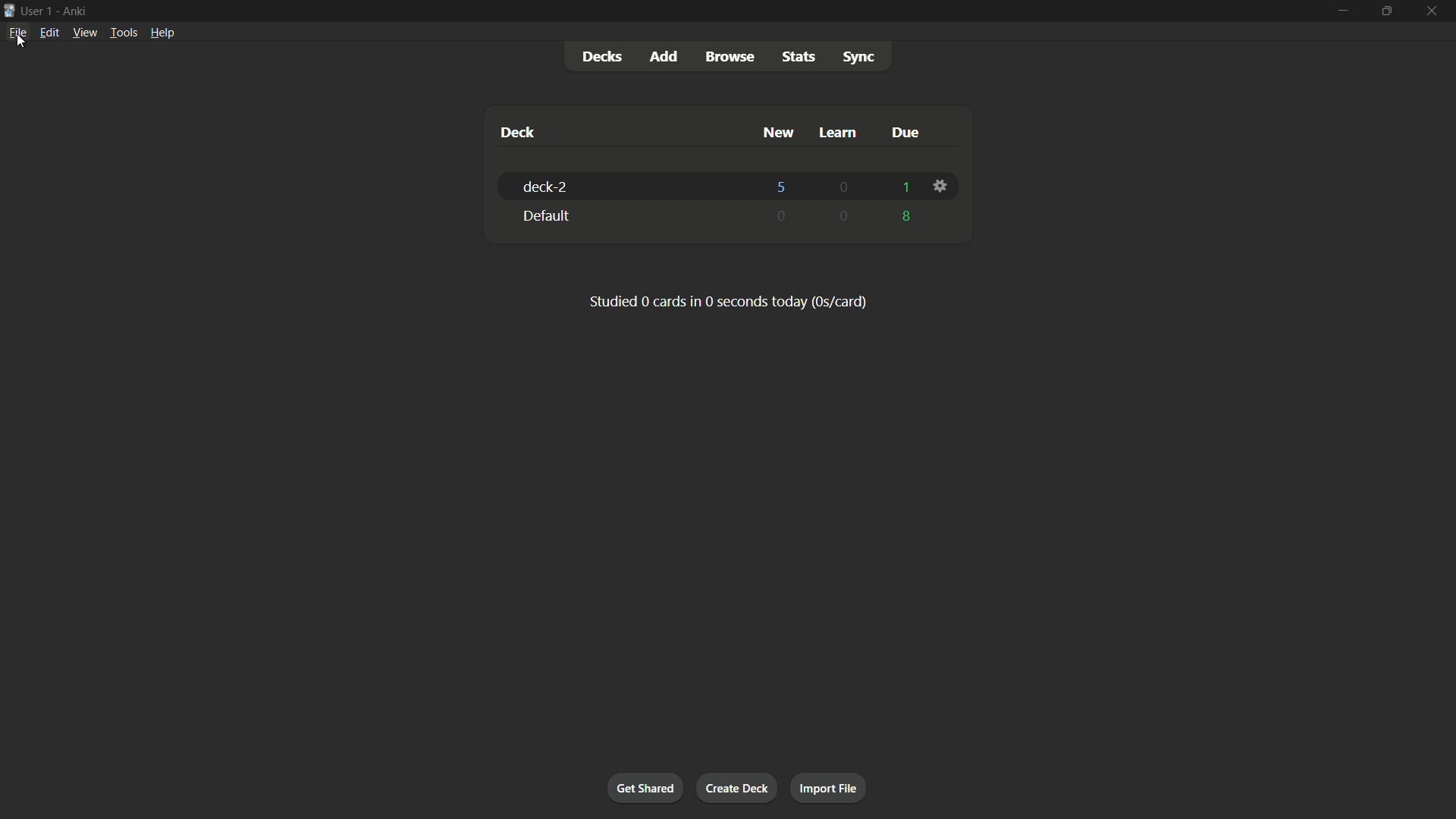 The width and height of the screenshot is (1456, 819). What do you see at coordinates (623, 187) in the screenshot?
I see `Deck-2` at bounding box center [623, 187].